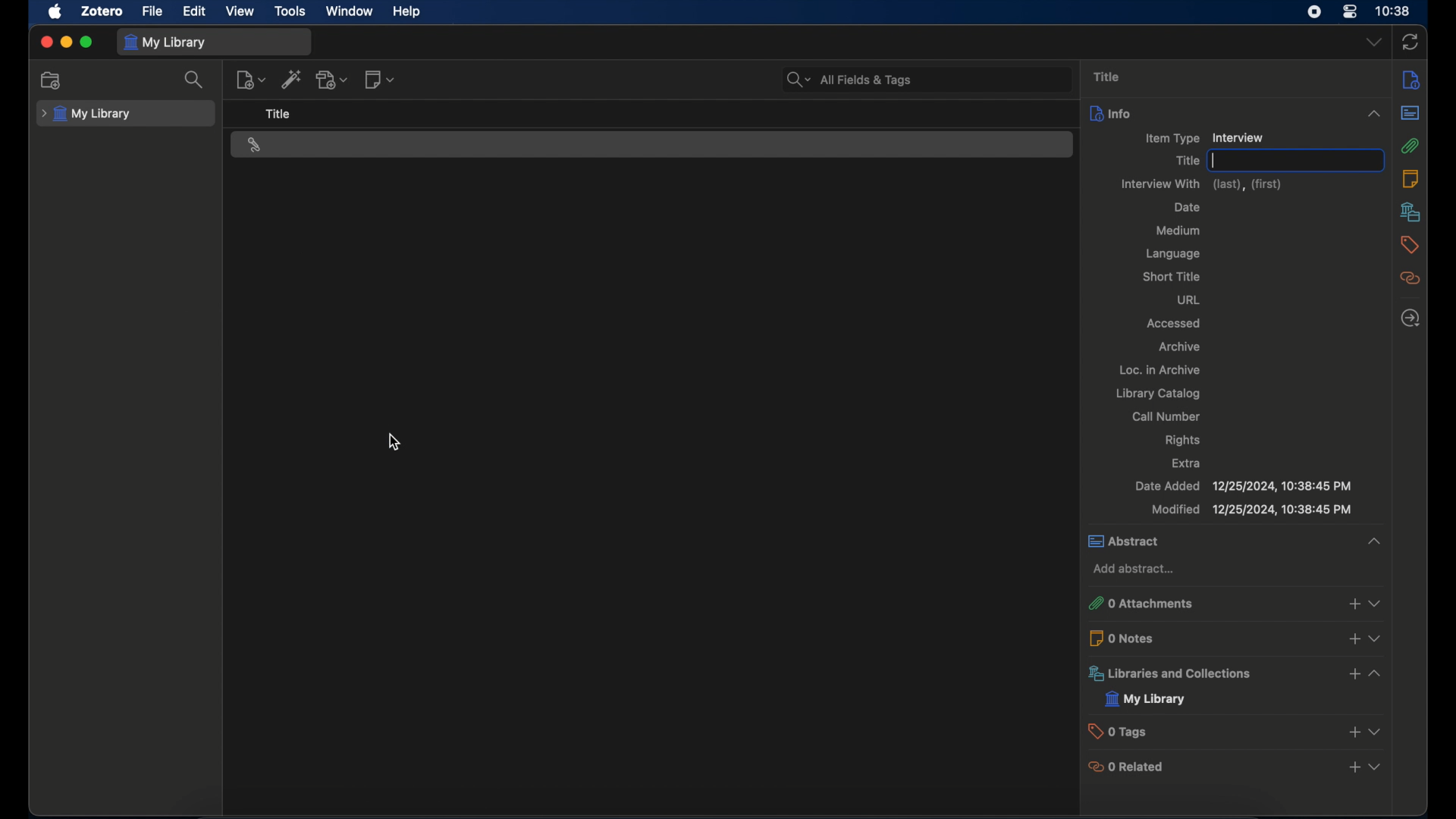 Image resolution: width=1456 pixels, height=819 pixels. I want to click on view, so click(1380, 640).